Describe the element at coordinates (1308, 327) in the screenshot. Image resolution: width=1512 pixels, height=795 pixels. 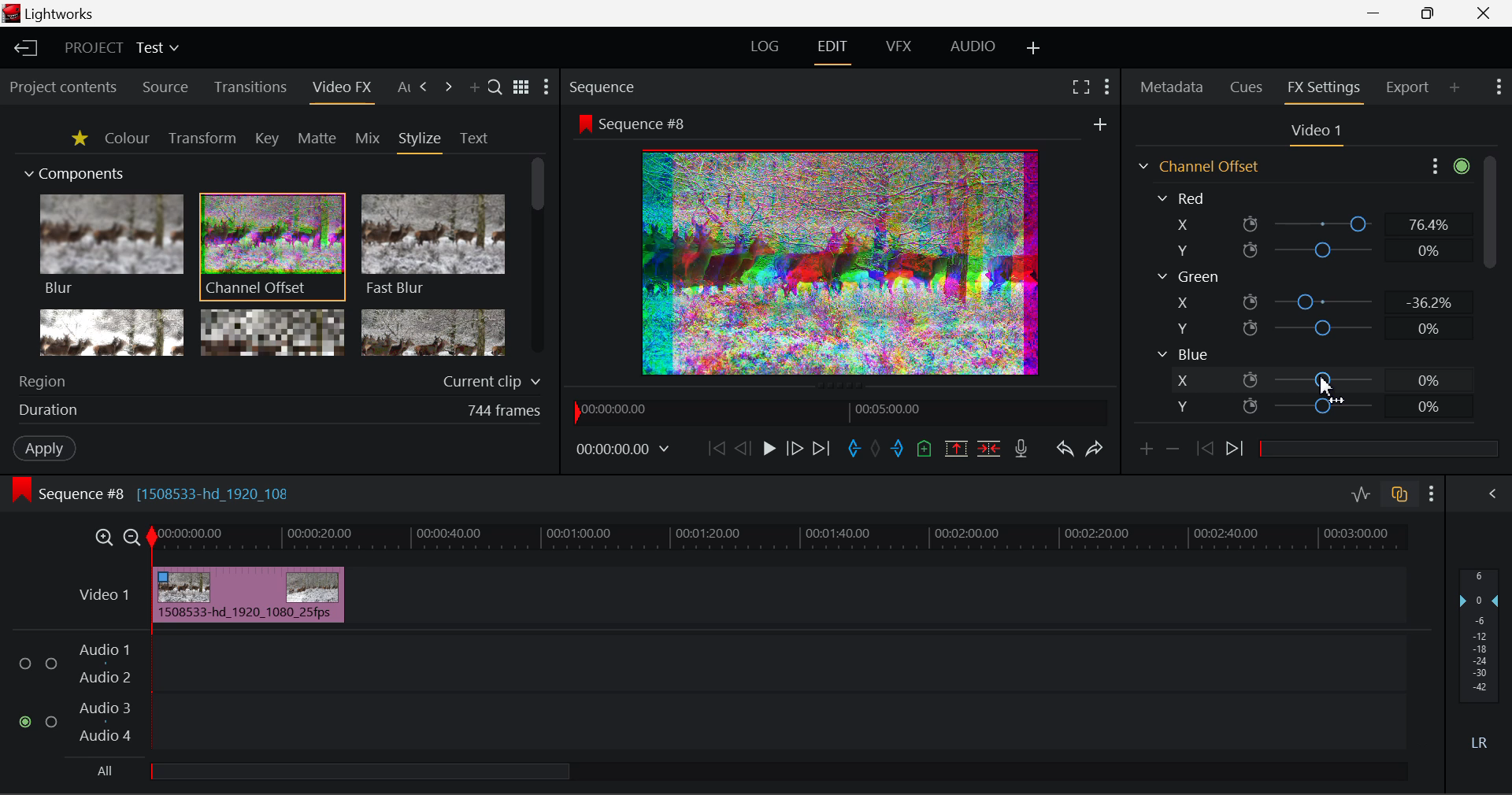
I see `Green Y` at that location.